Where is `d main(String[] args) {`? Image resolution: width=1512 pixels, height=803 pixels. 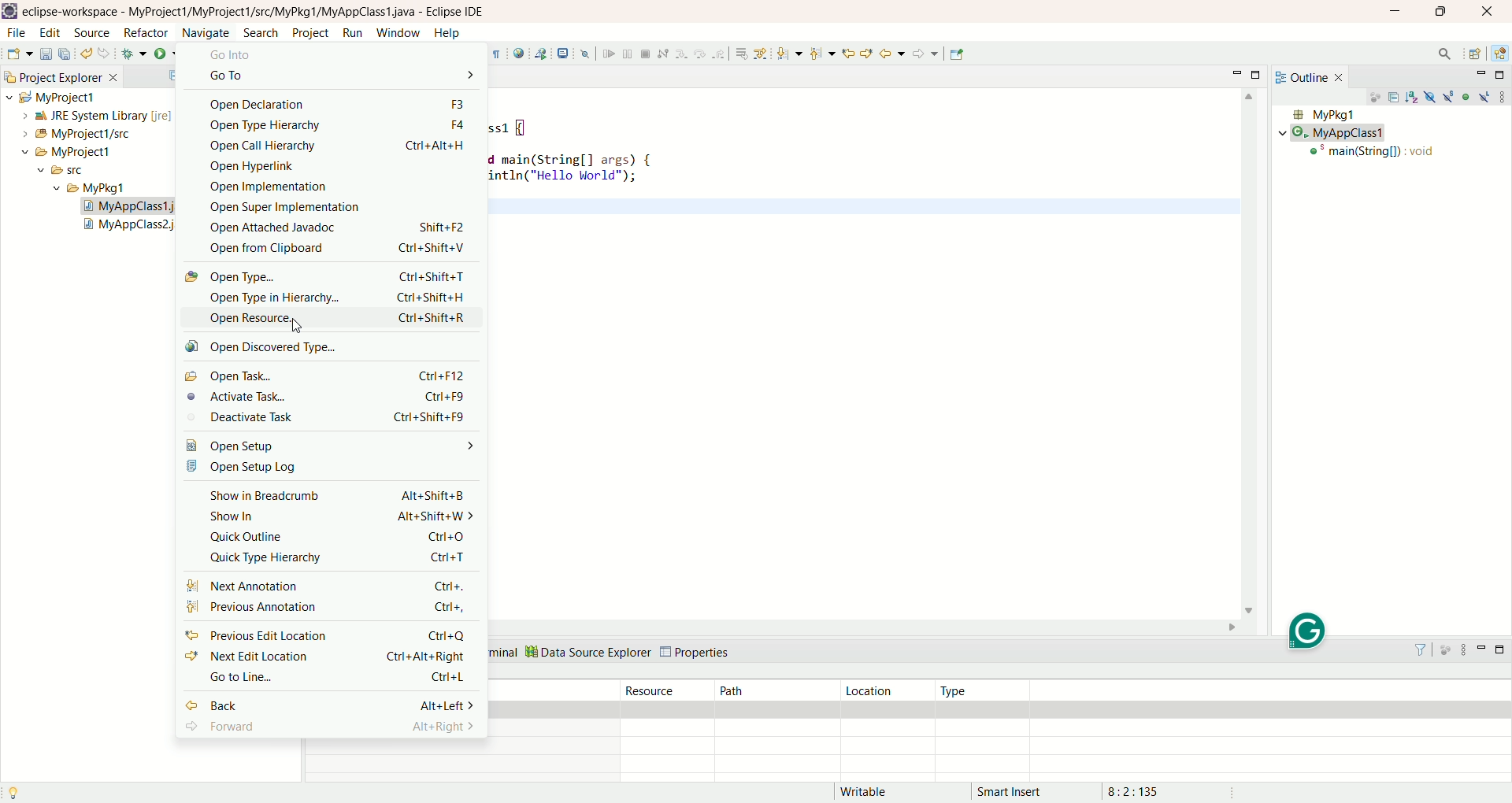
d main(String[] args) { is located at coordinates (570, 159).